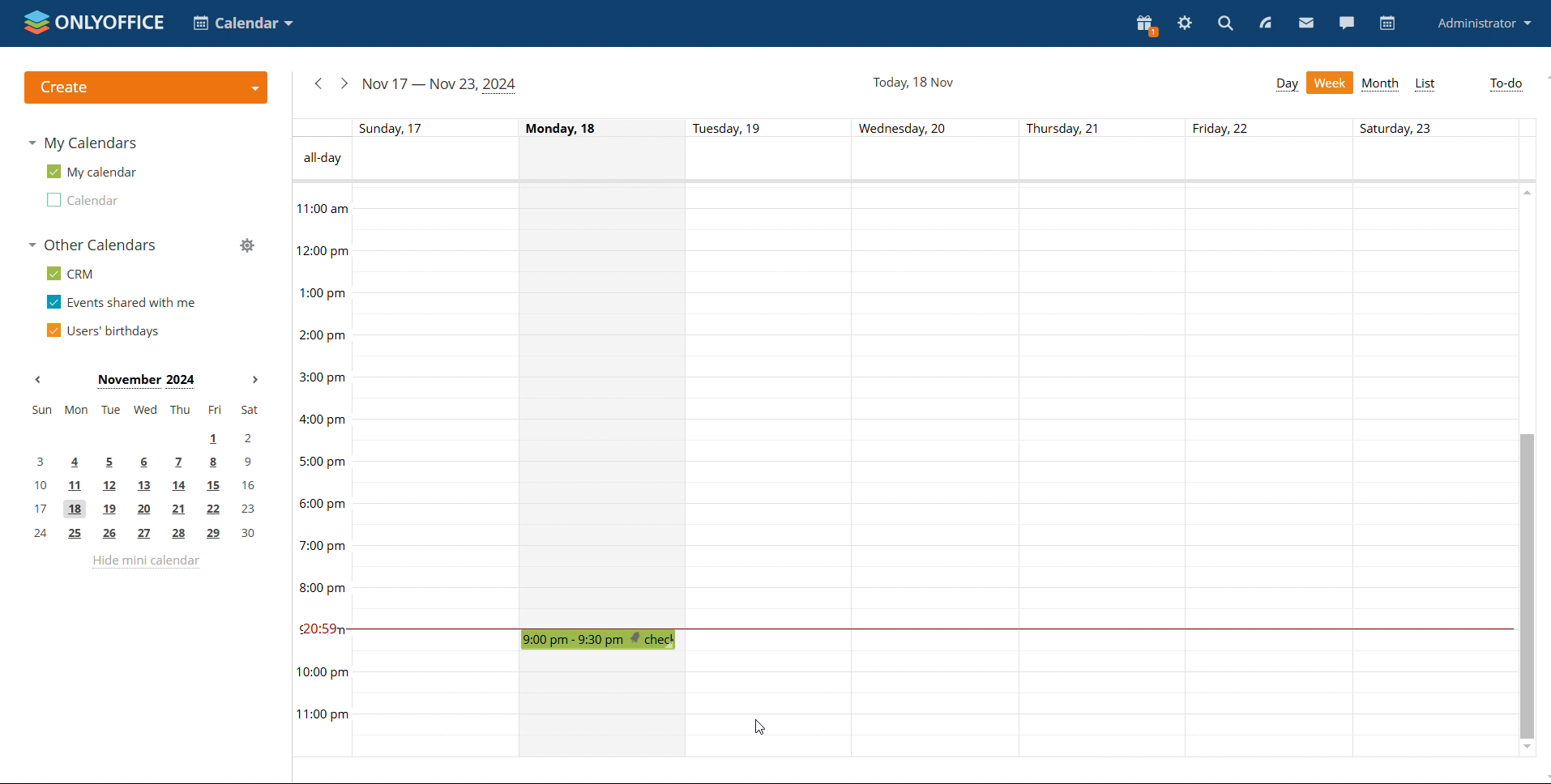  What do you see at coordinates (145, 562) in the screenshot?
I see `hide mini calendar` at bounding box center [145, 562].